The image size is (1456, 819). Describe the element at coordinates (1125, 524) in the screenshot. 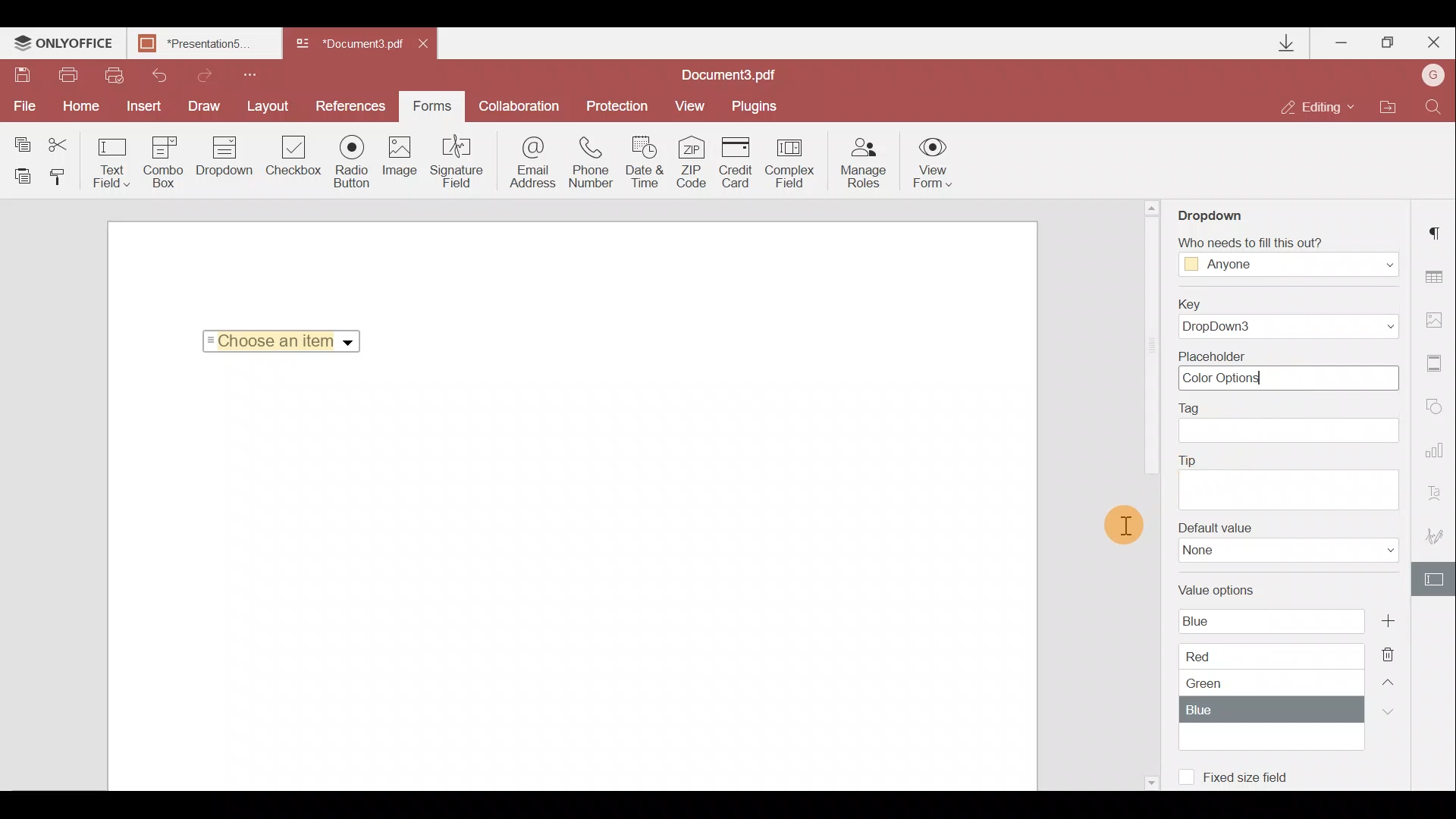

I see `Cursor` at that location.